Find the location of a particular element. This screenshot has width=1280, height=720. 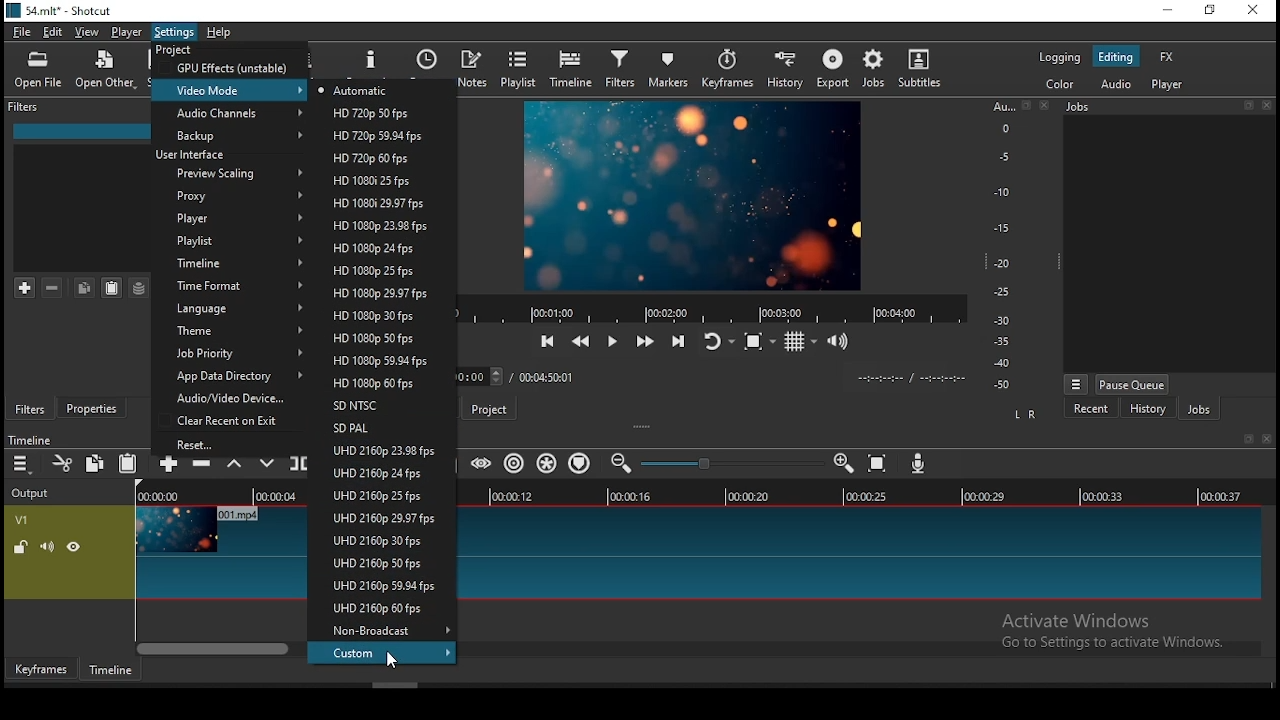

Active Windows is located at coordinates (1084, 620).